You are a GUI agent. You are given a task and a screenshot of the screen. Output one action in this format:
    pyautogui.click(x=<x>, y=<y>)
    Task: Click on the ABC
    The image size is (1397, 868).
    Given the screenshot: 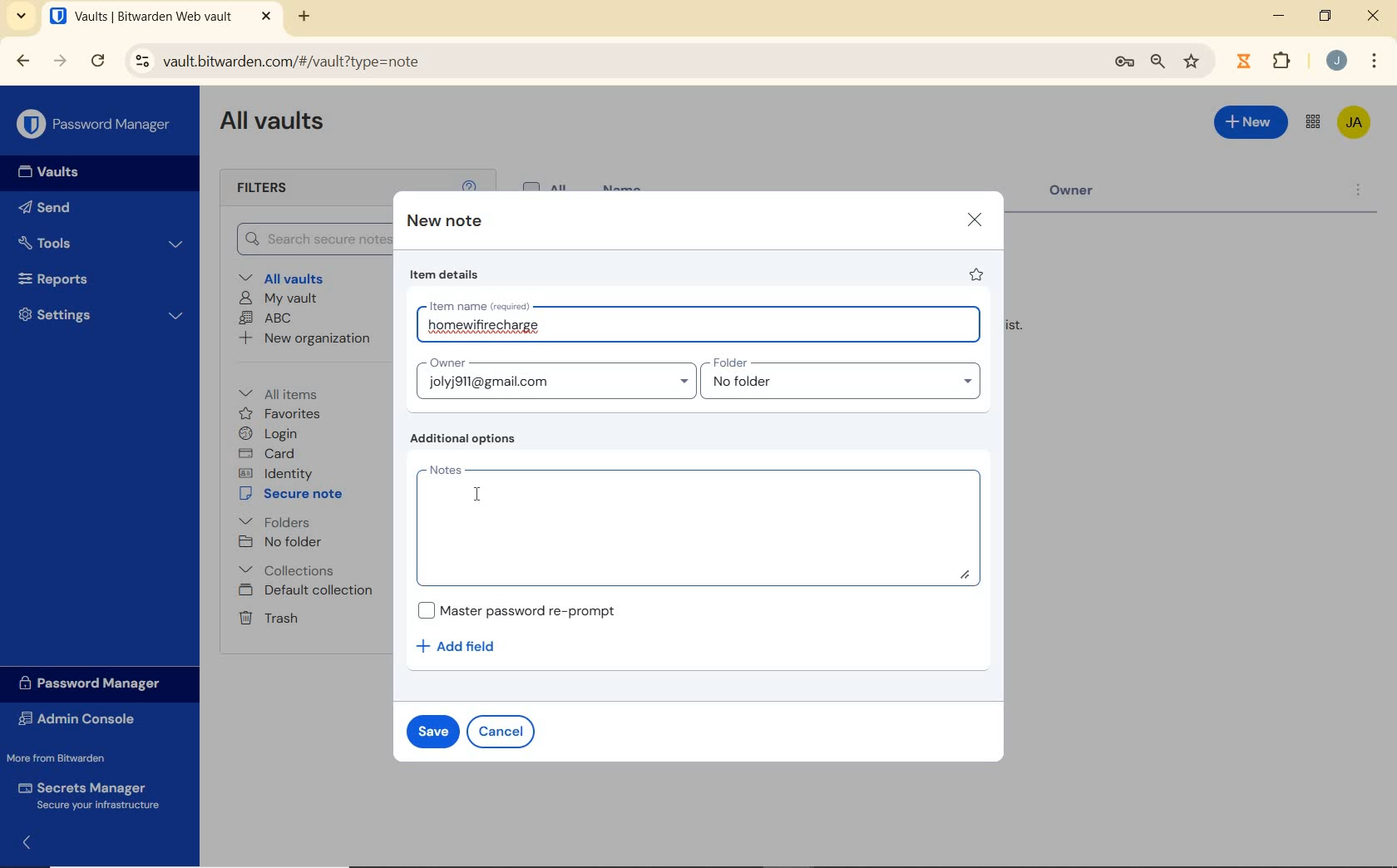 What is the action you would take?
    pyautogui.click(x=266, y=319)
    